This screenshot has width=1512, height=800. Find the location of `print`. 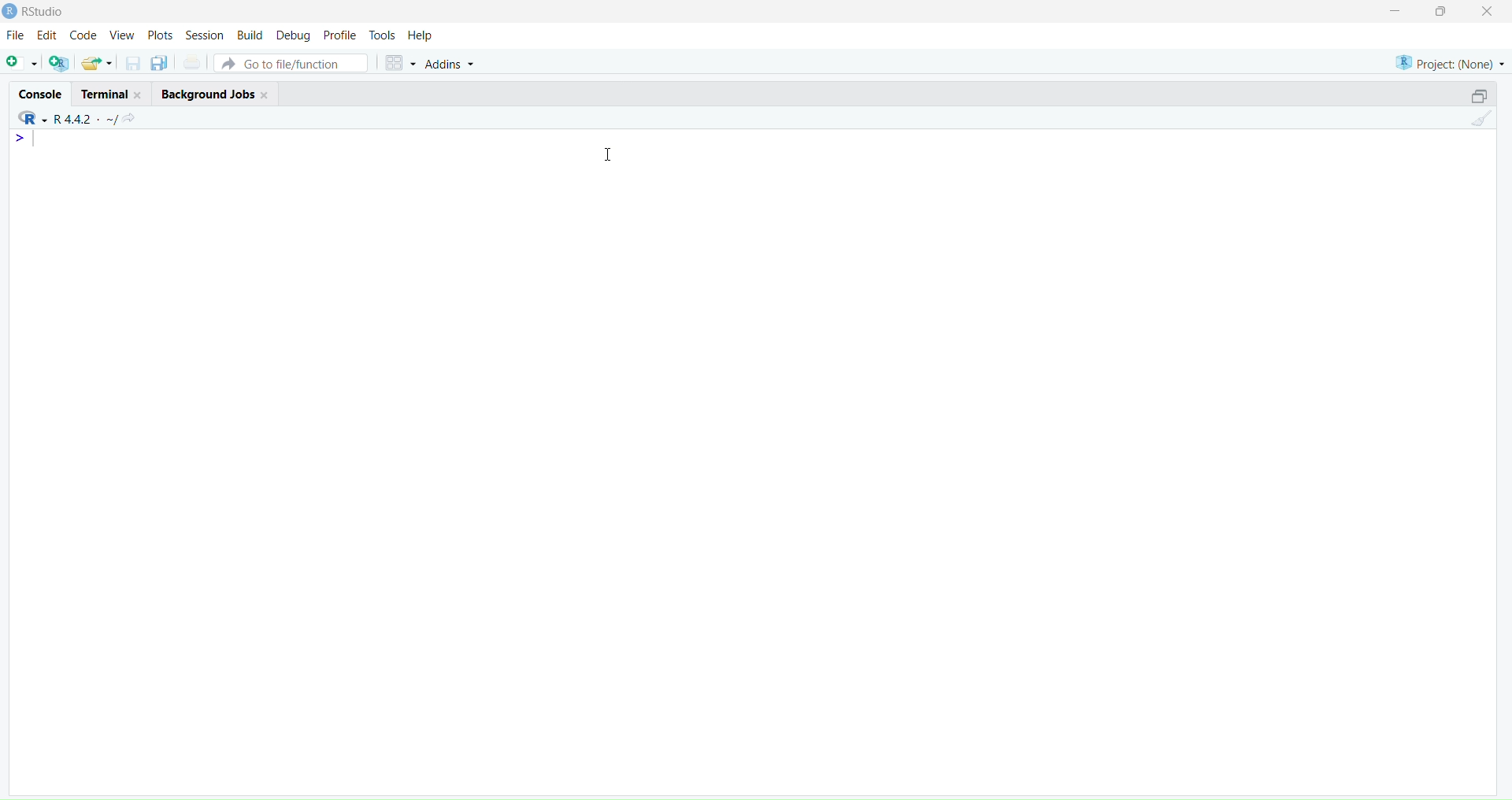

print is located at coordinates (192, 65).